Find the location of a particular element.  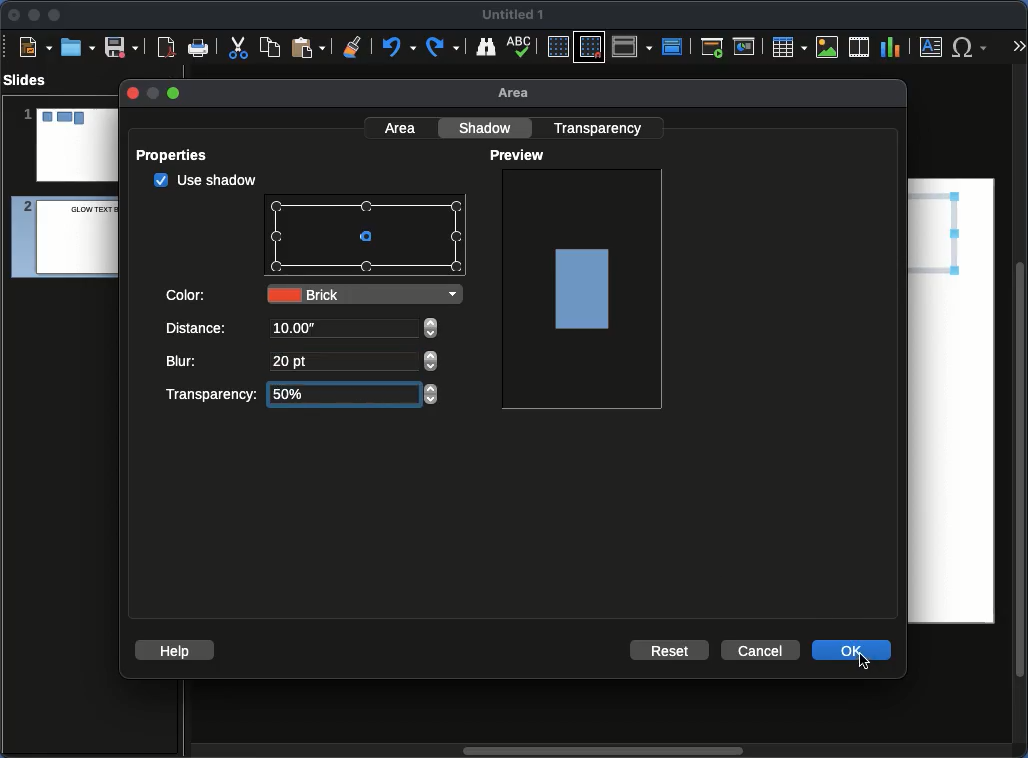

Undo is located at coordinates (397, 47).